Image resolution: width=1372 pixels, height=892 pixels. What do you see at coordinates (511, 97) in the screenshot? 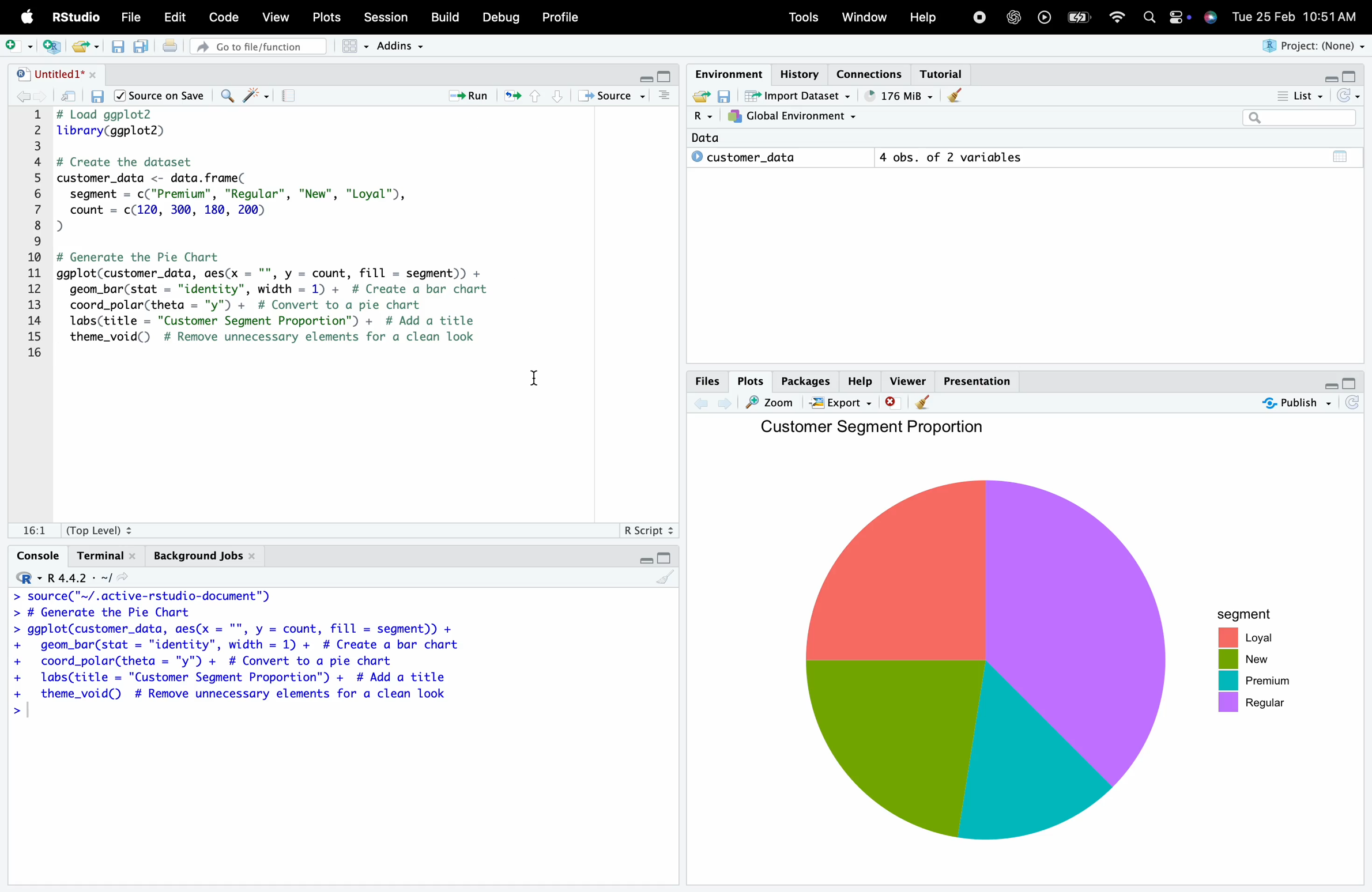
I see `refresh` at bounding box center [511, 97].